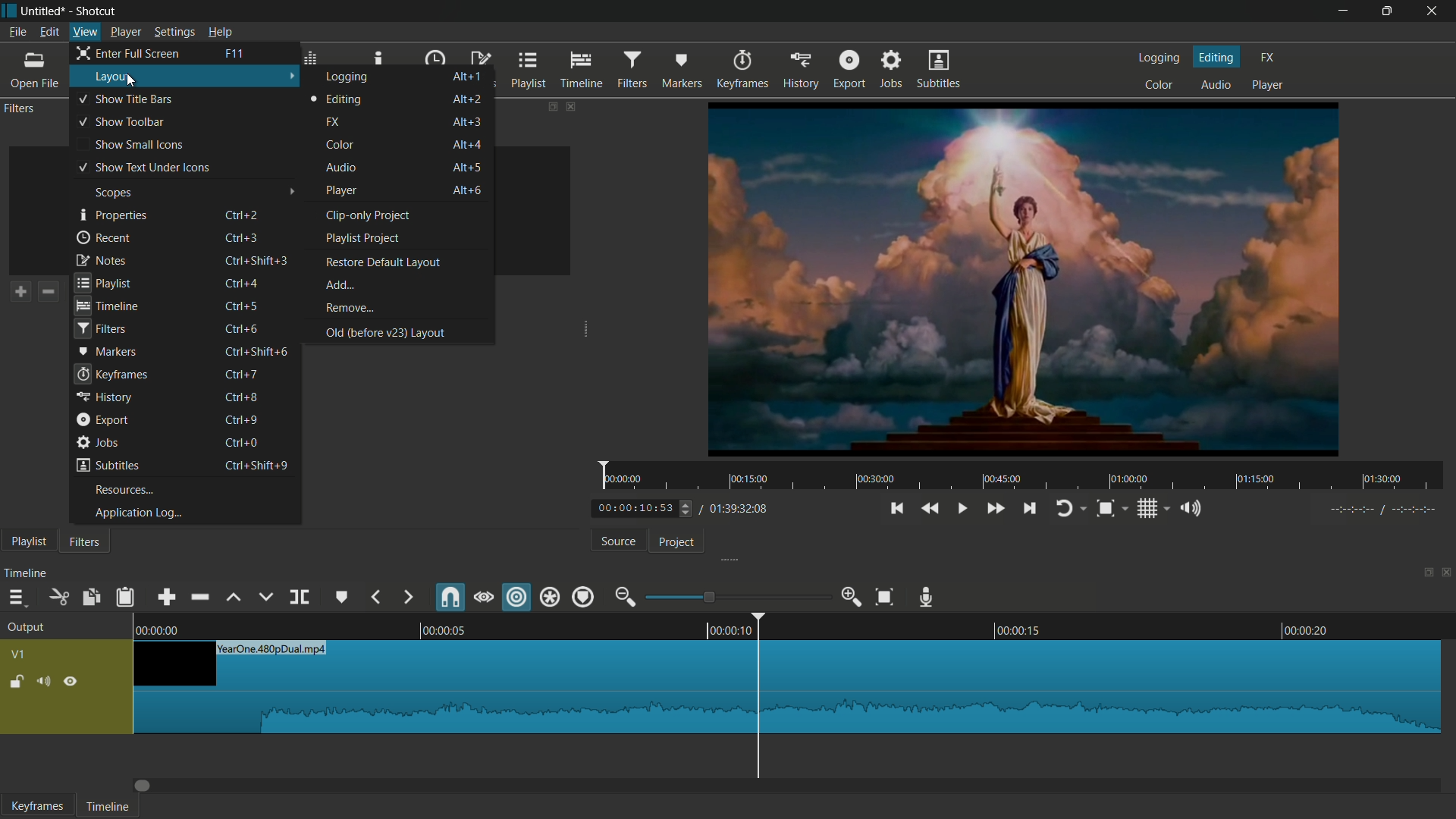 Image resolution: width=1456 pixels, height=819 pixels. What do you see at coordinates (1389, 11) in the screenshot?
I see `maximize` at bounding box center [1389, 11].